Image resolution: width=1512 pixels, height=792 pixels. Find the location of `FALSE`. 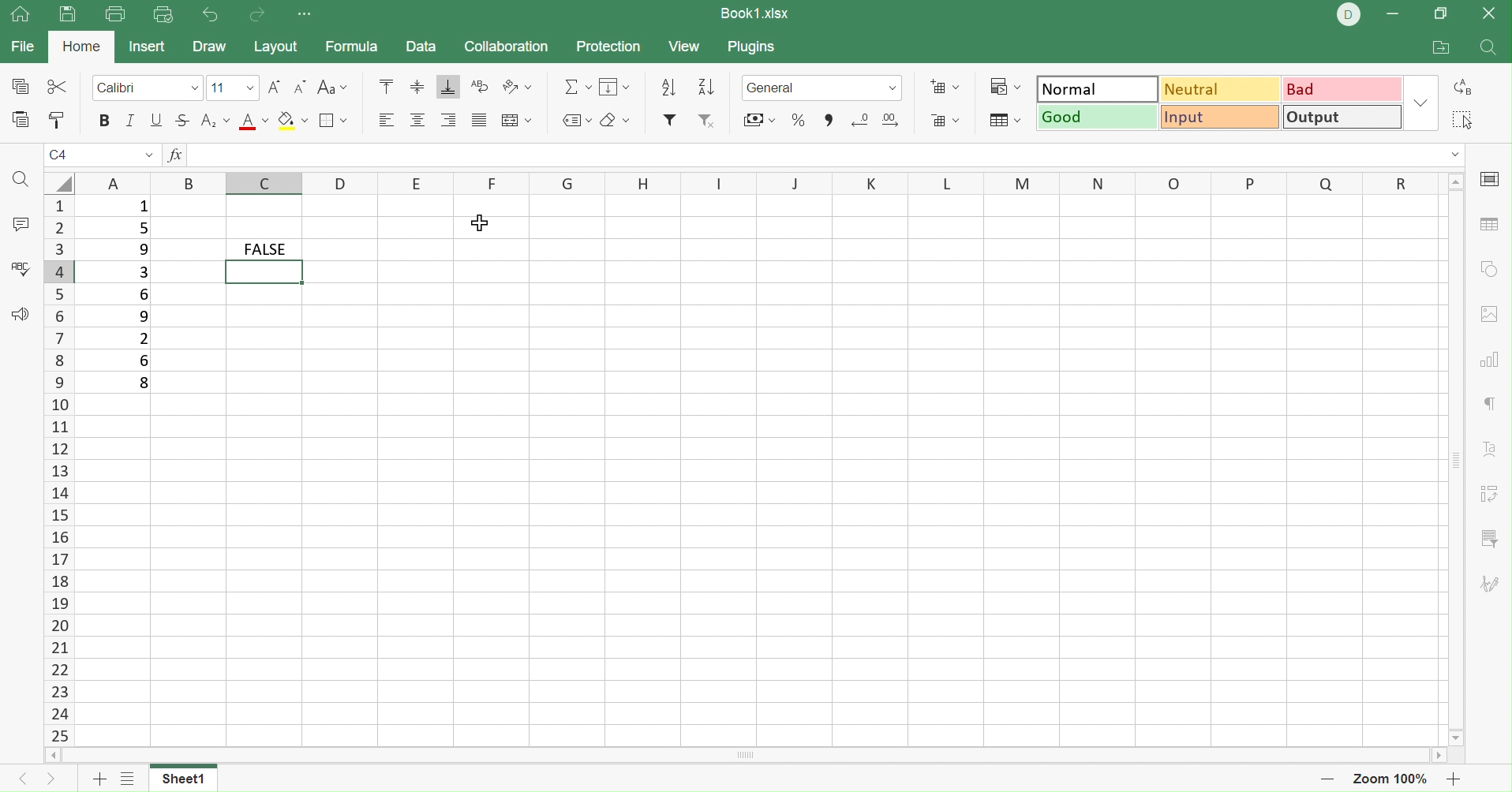

FALSE is located at coordinates (264, 249).